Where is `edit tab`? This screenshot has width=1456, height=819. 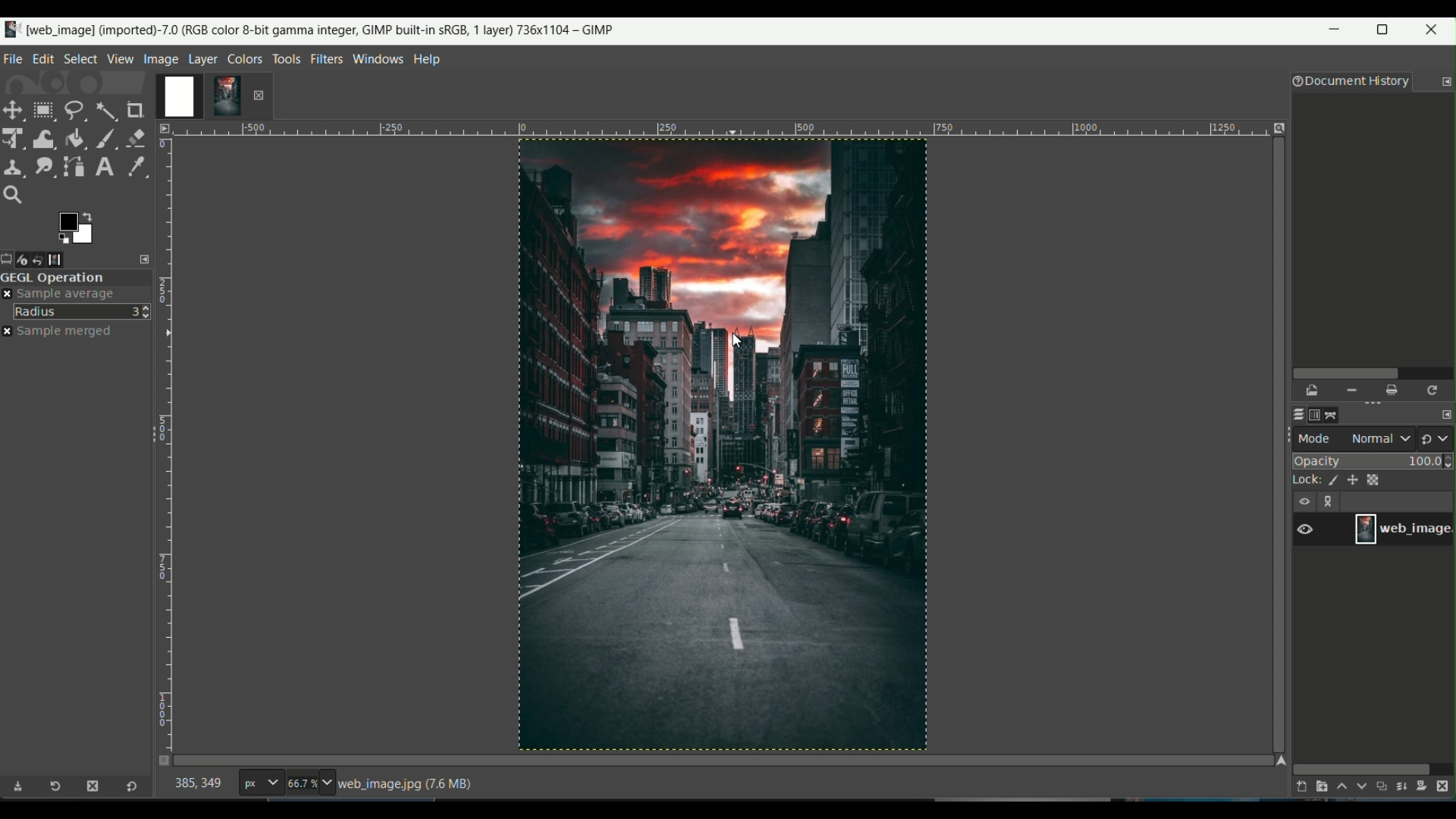
edit tab is located at coordinates (43, 58).